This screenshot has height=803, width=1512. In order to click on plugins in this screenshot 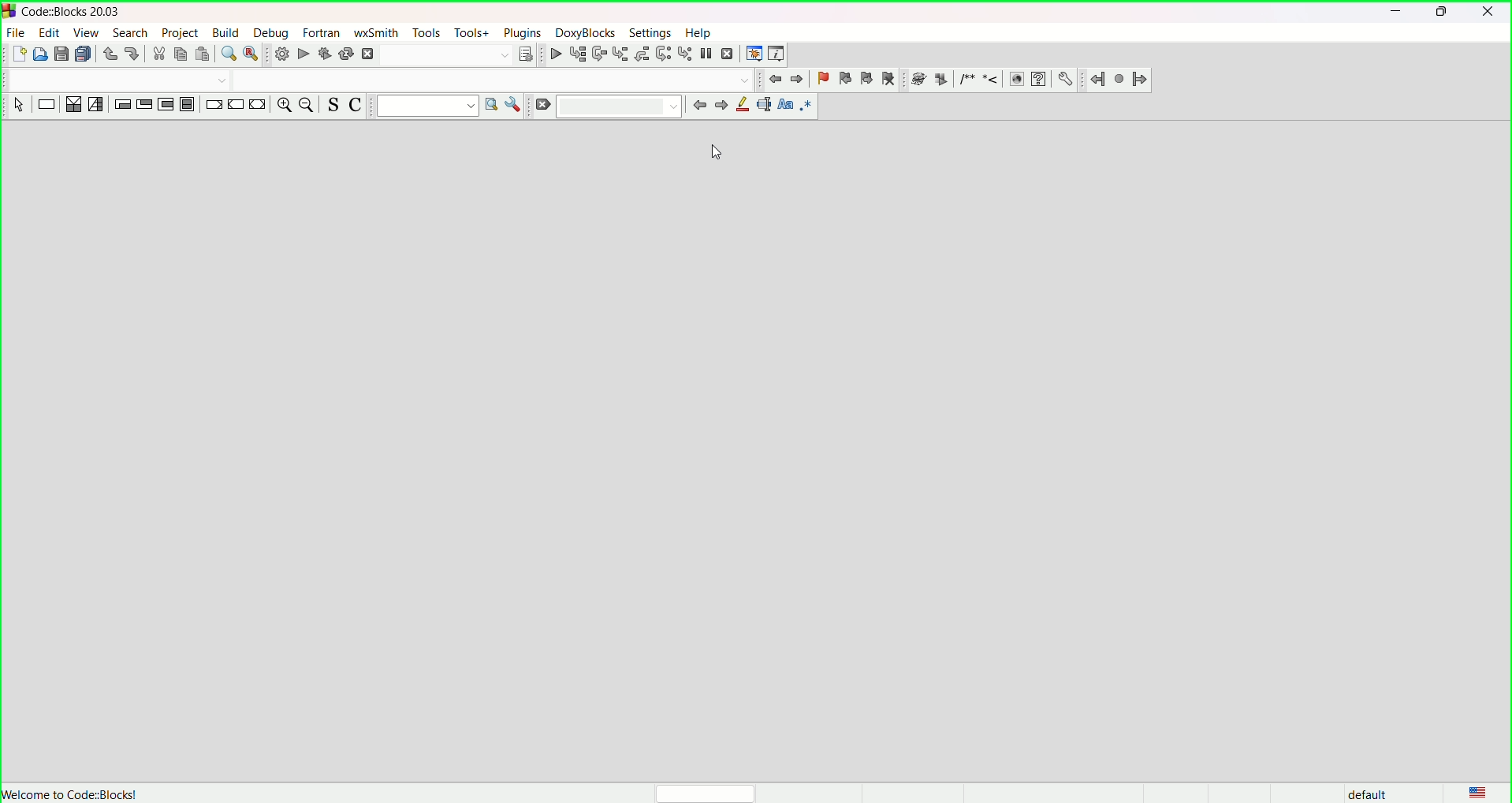, I will do `click(520, 32)`.